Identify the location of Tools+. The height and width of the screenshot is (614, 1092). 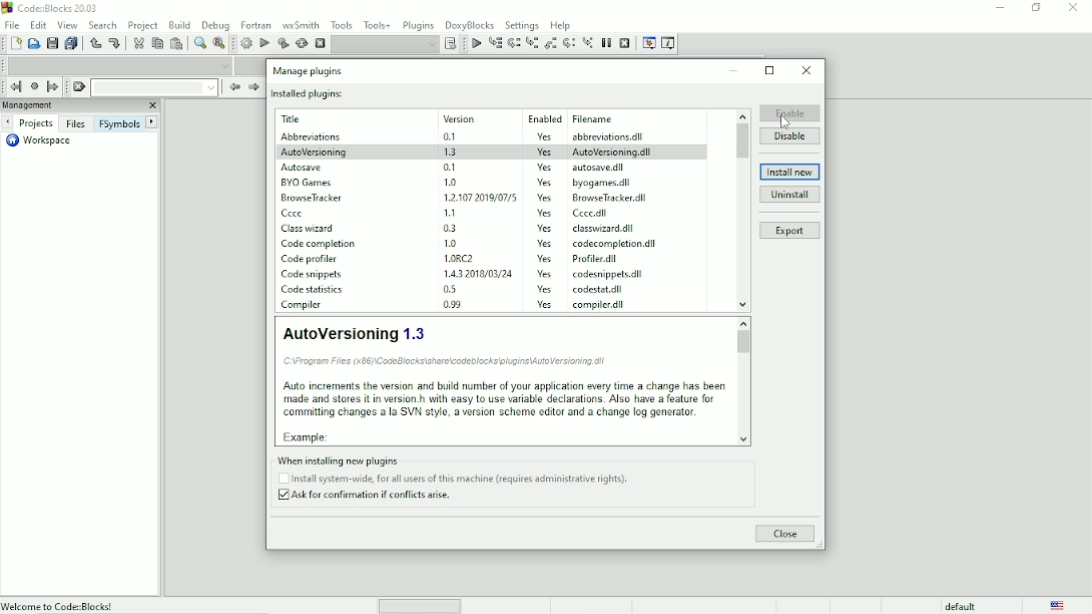
(377, 25).